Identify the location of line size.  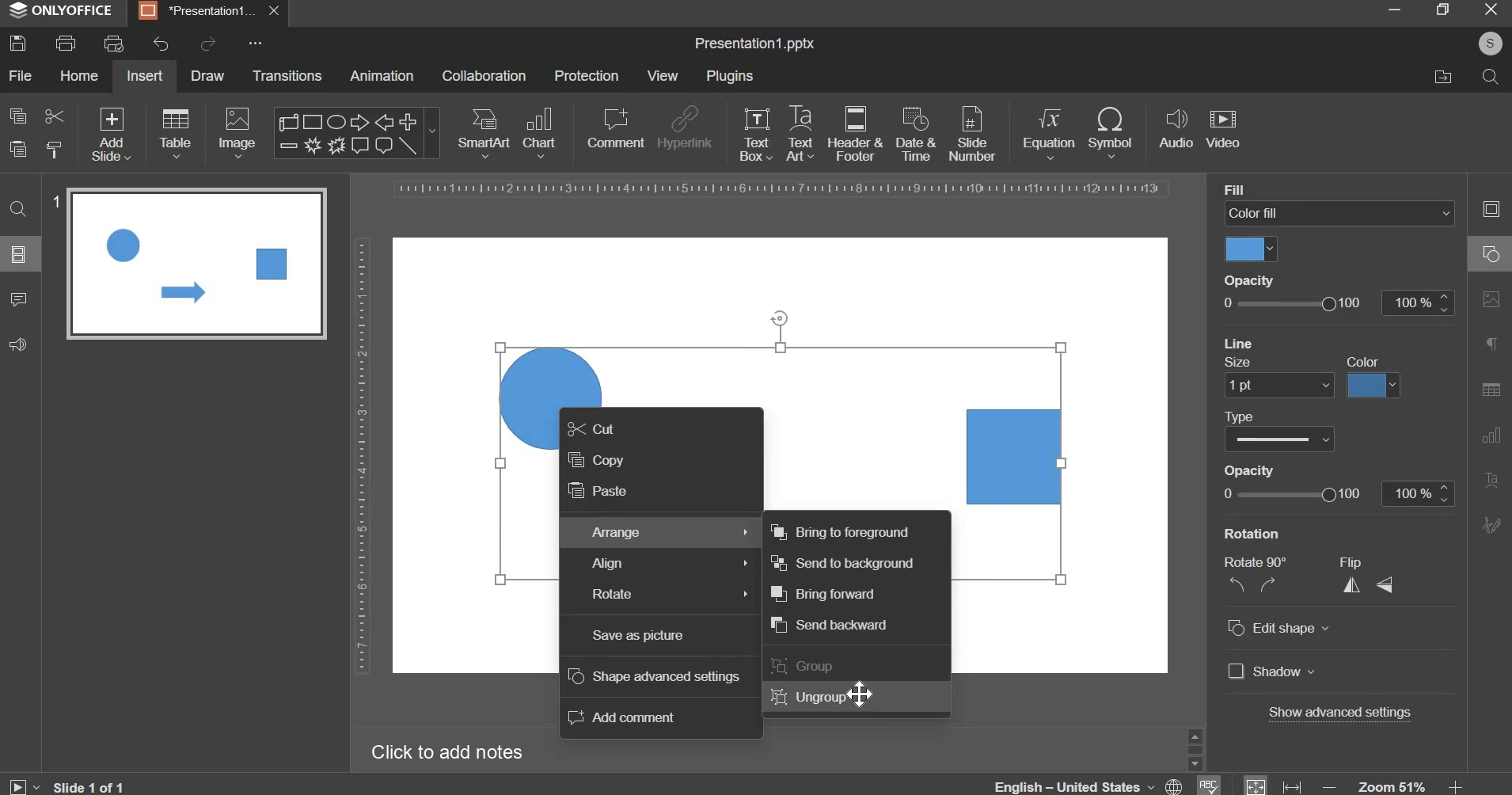
(1278, 384).